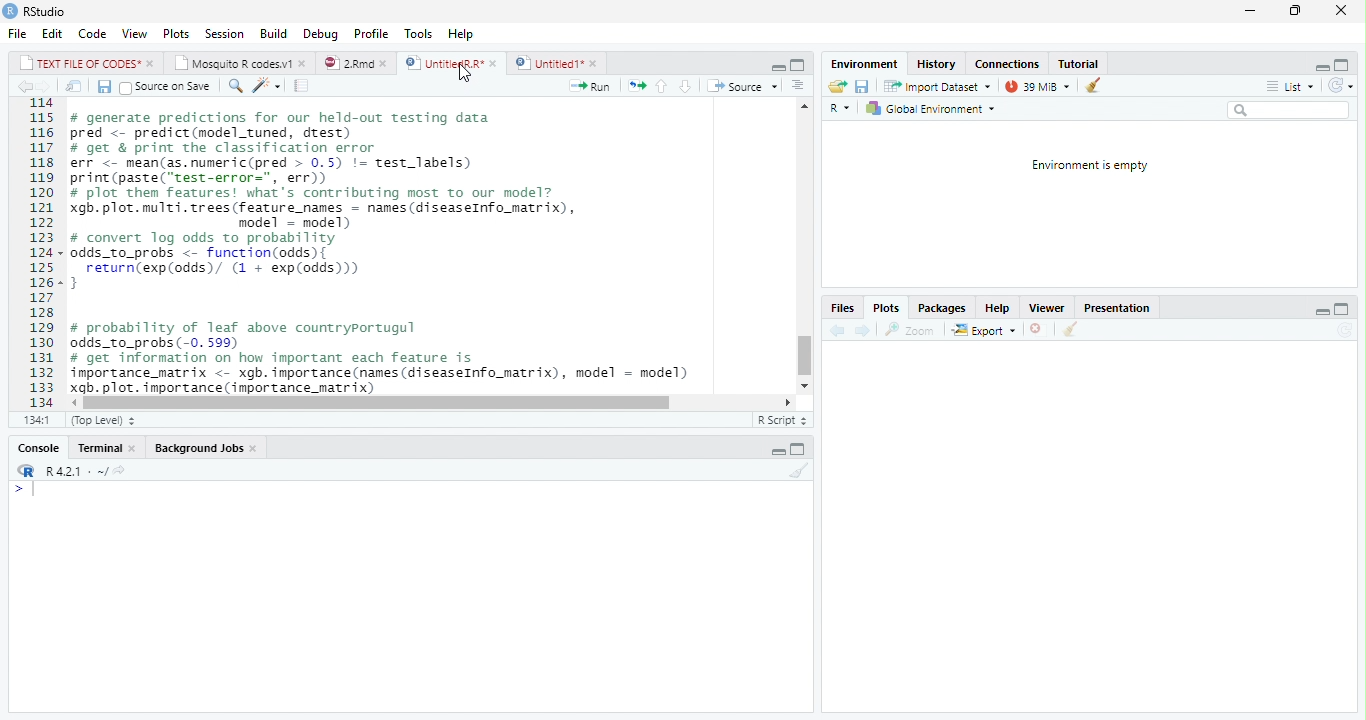 This screenshot has width=1366, height=720. Describe the element at coordinates (1249, 11) in the screenshot. I see `Minimize` at that location.